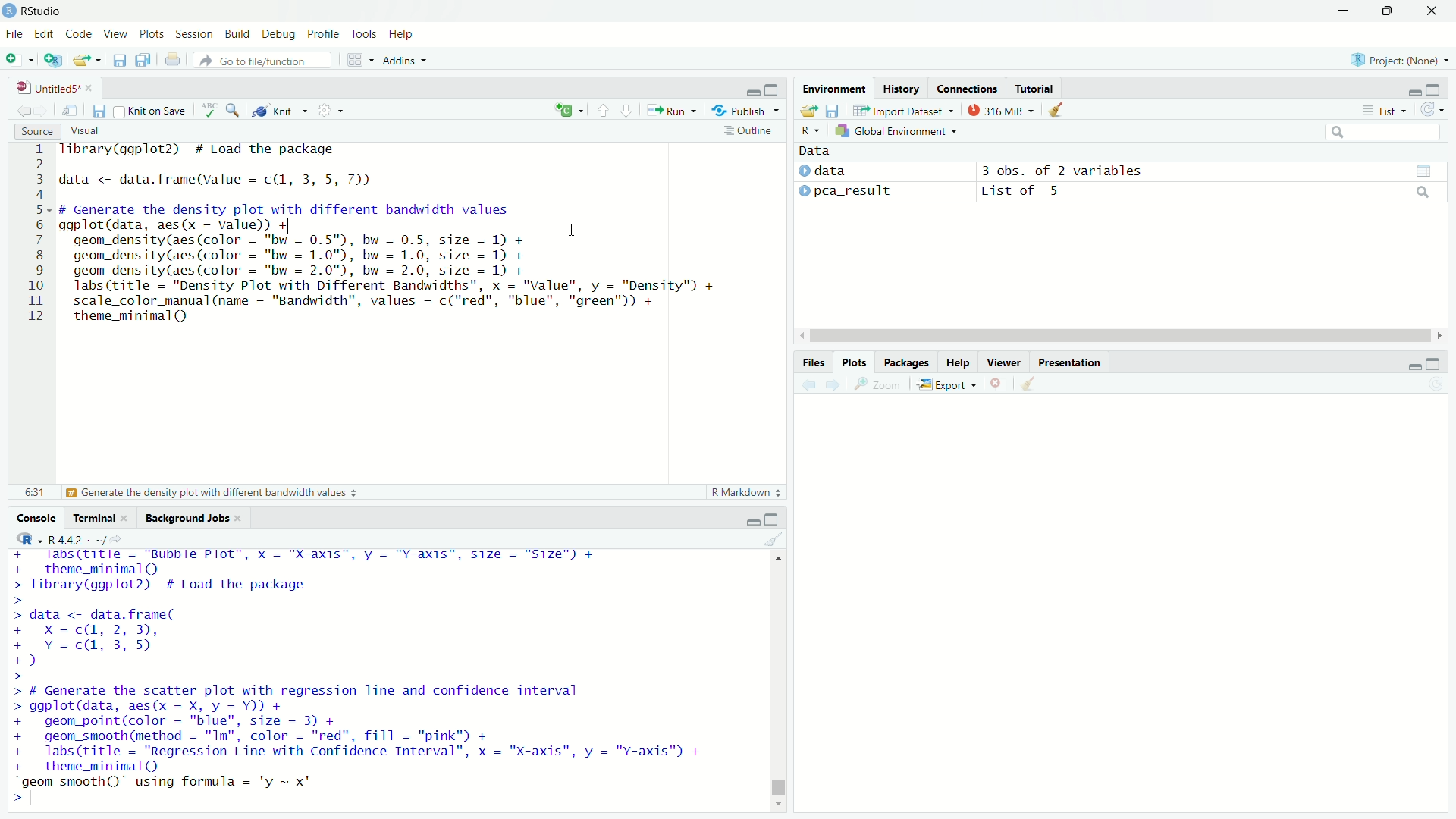 The width and height of the screenshot is (1456, 819). I want to click on cursor, so click(572, 229).